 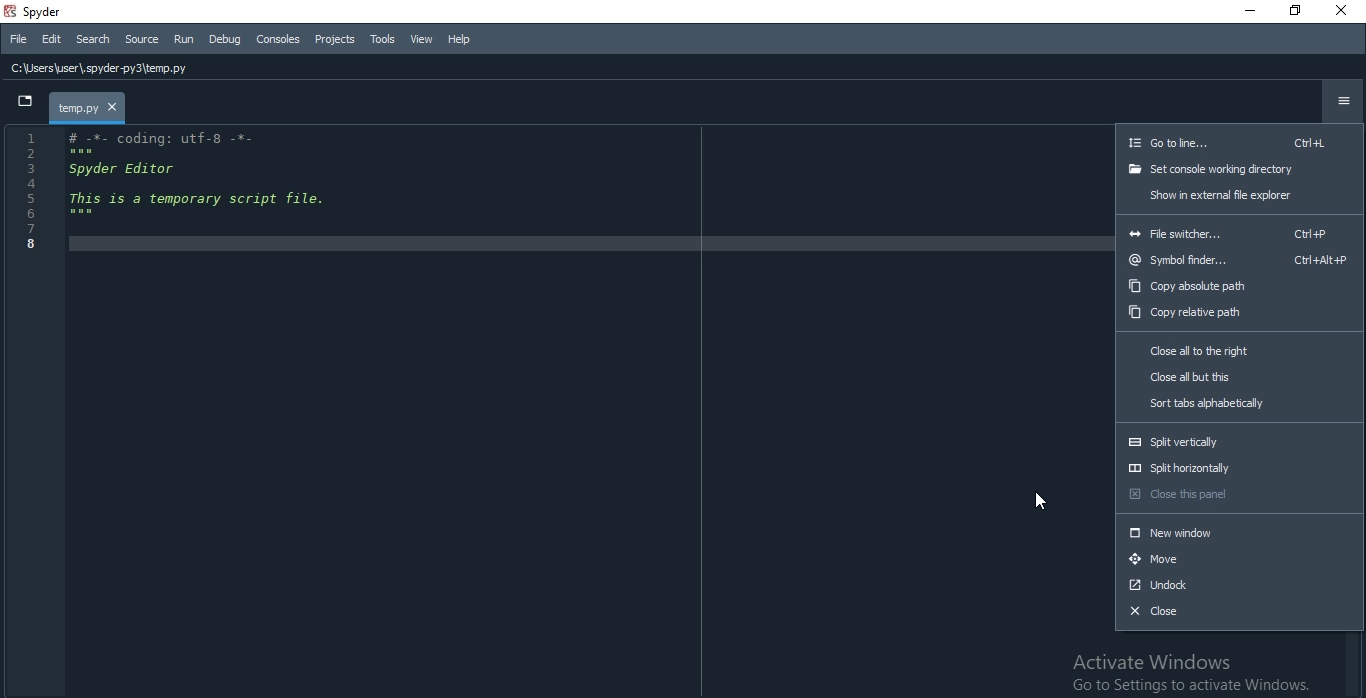 What do you see at coordinates (1038, 504) in the screenshot?
I see `Cursor` at bounding box center [1038, 504].